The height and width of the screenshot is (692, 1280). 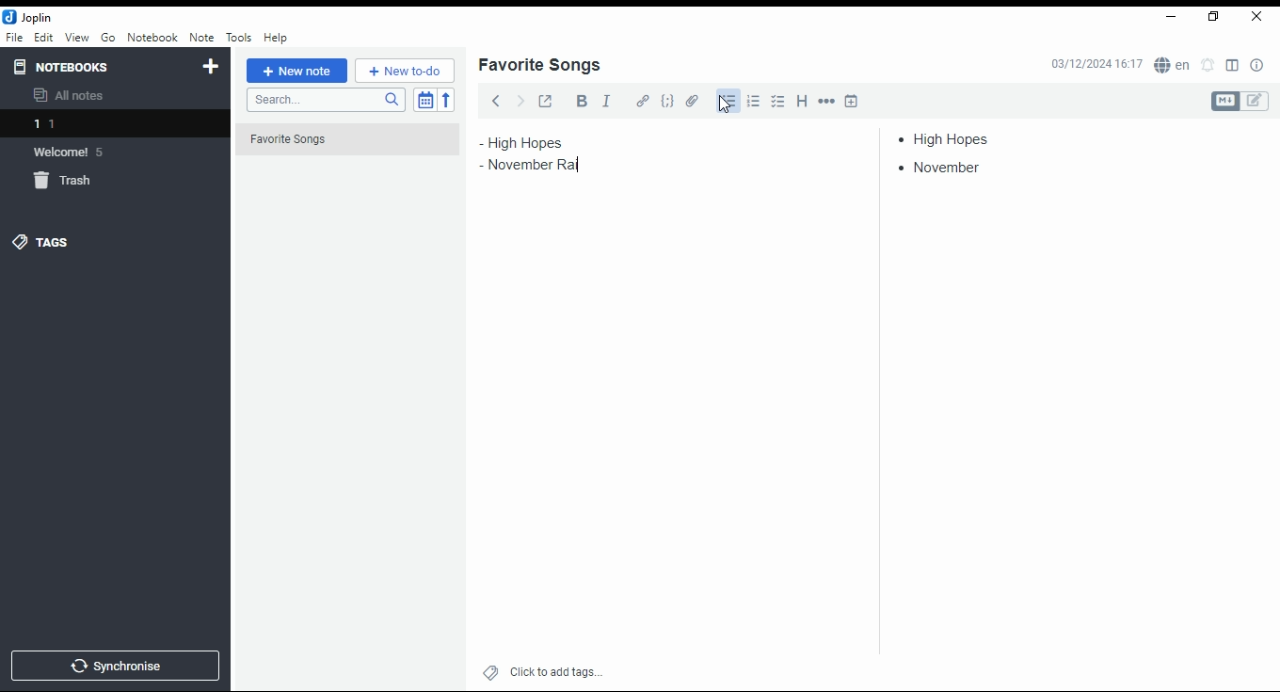 What do you see at coordinates (754, 100) in the screenshot?
I see `number list` at bounding box center [754, 100].